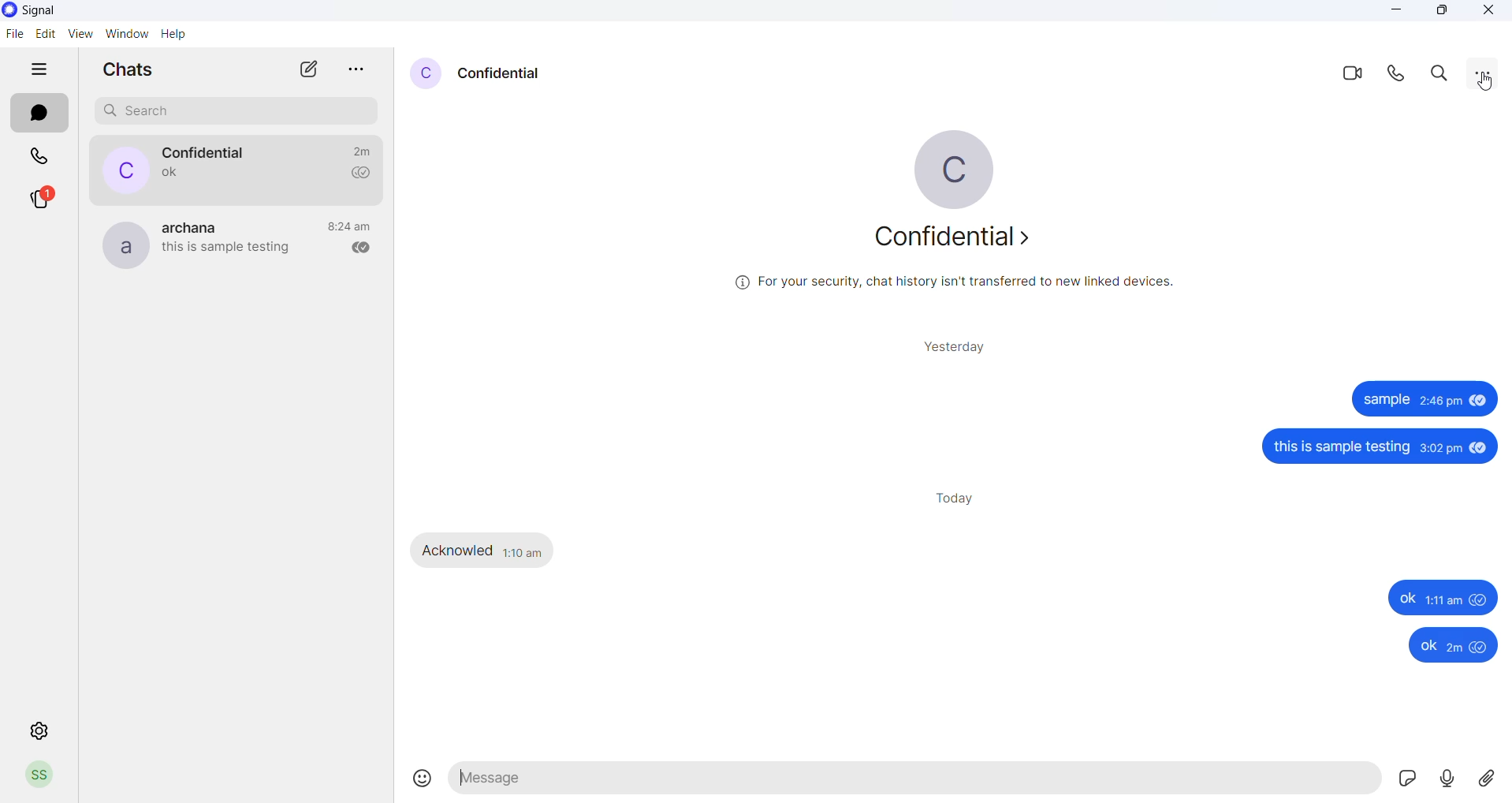  Describe the element at coordinates (1447, 781) in the screenshot. I see `voice note` at that location.